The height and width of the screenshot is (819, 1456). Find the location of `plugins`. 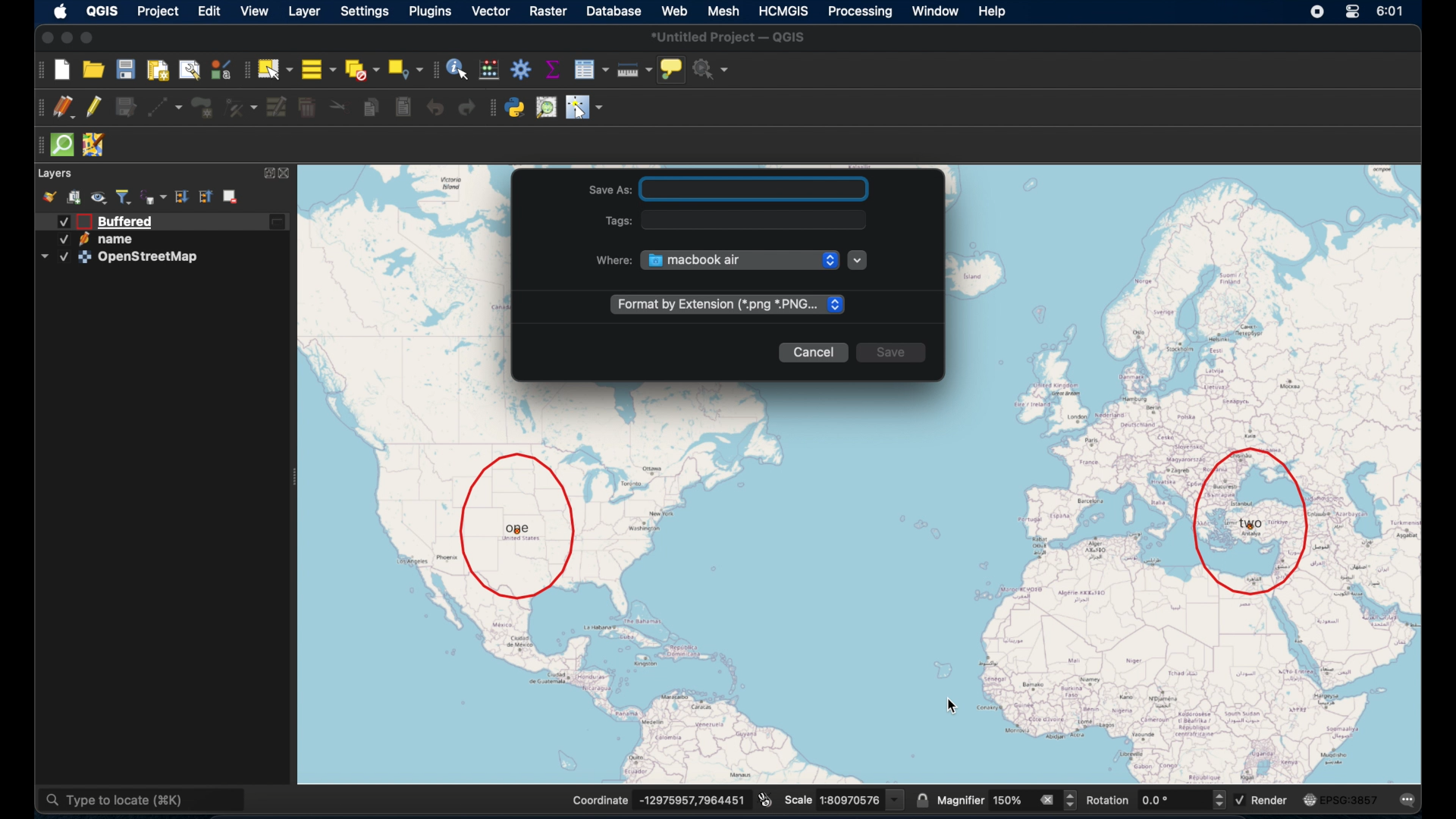

plugins is located at coordinates (430, 11).